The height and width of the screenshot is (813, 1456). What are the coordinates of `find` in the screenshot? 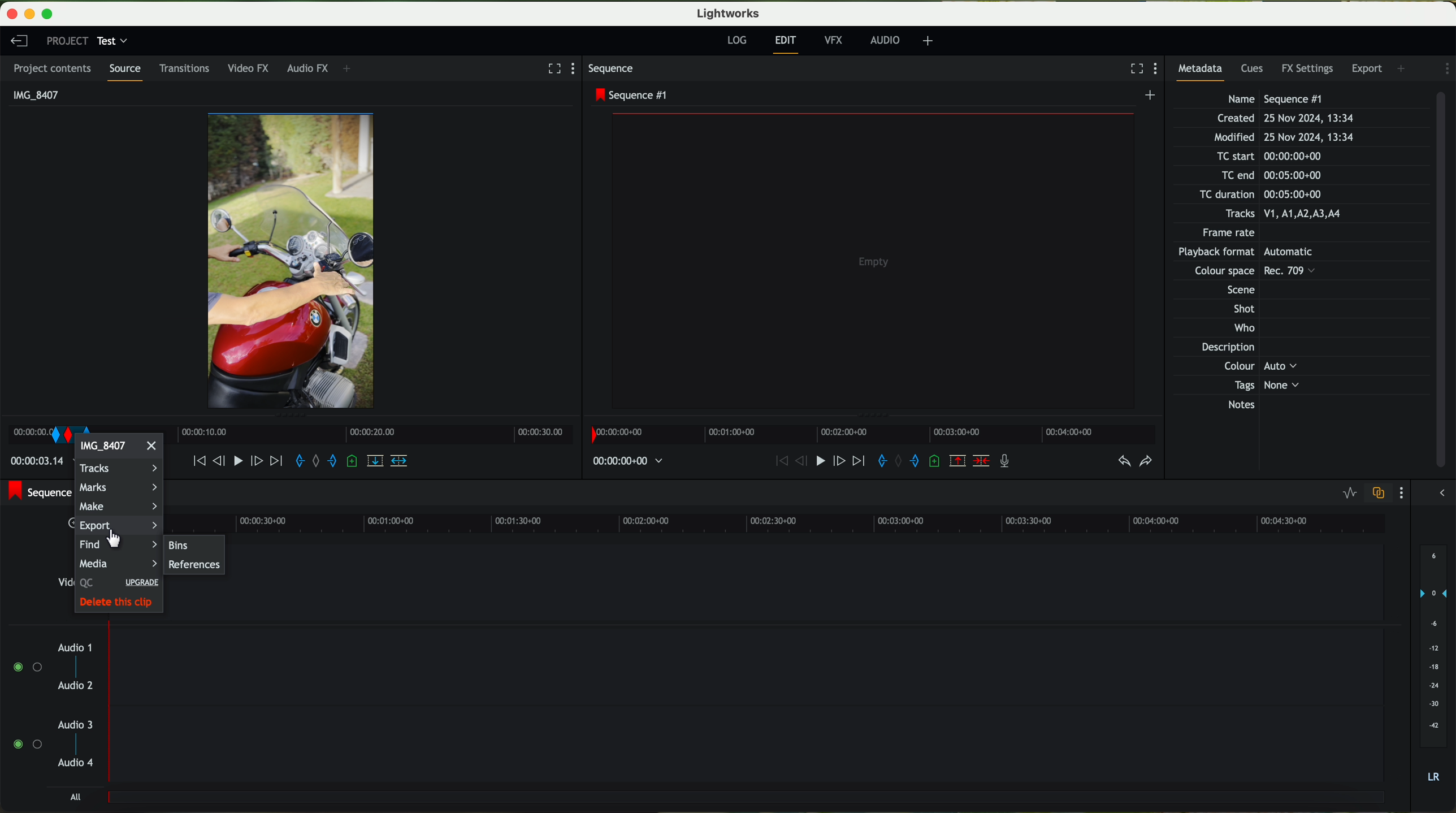 It's located at (98, 546).